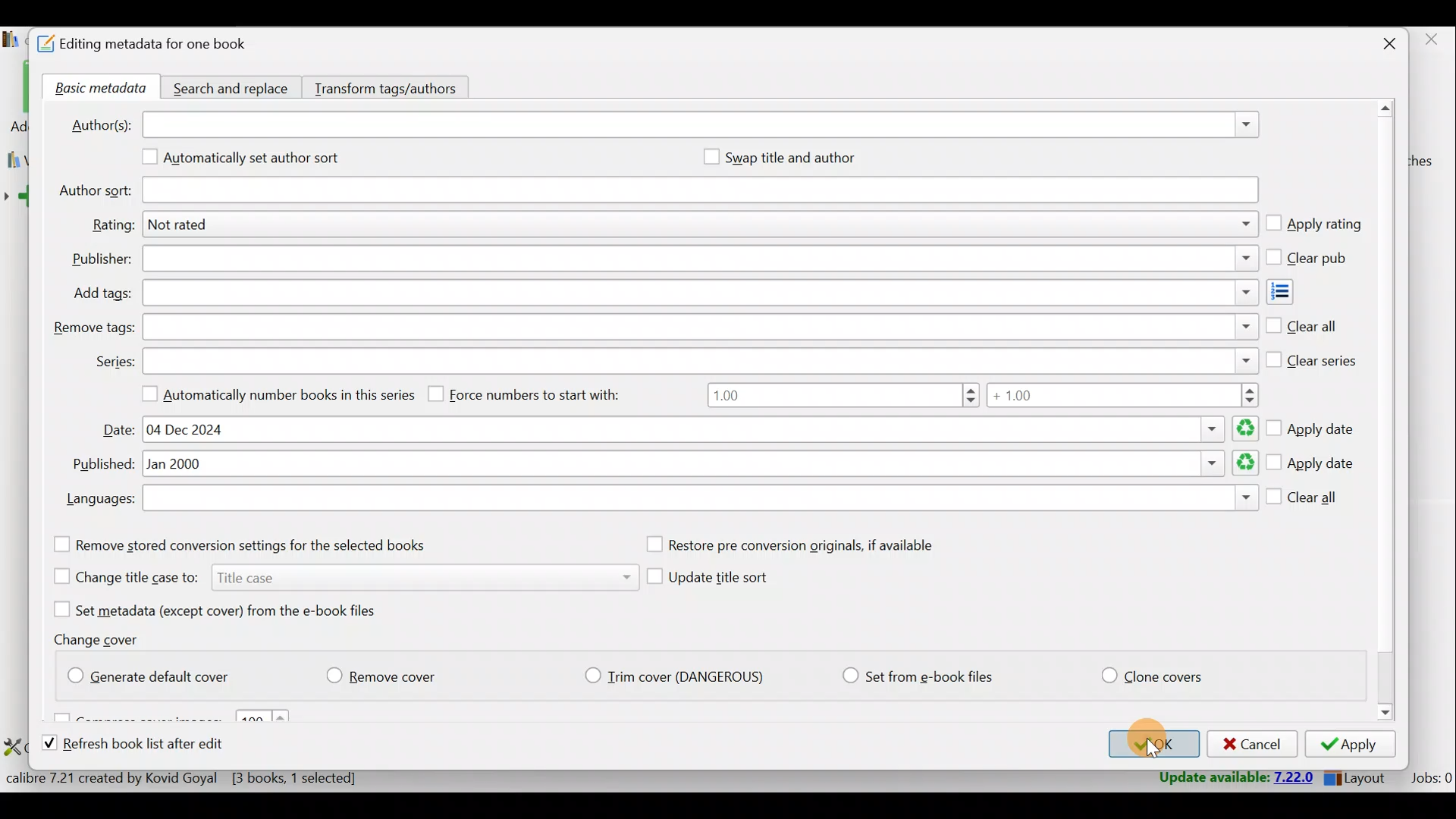 The width and height of the screenshot is (1456, 819). What do you see at coordinates (701, 359) in the screenshot?
I see `Series` at bounding box center [701, 359].